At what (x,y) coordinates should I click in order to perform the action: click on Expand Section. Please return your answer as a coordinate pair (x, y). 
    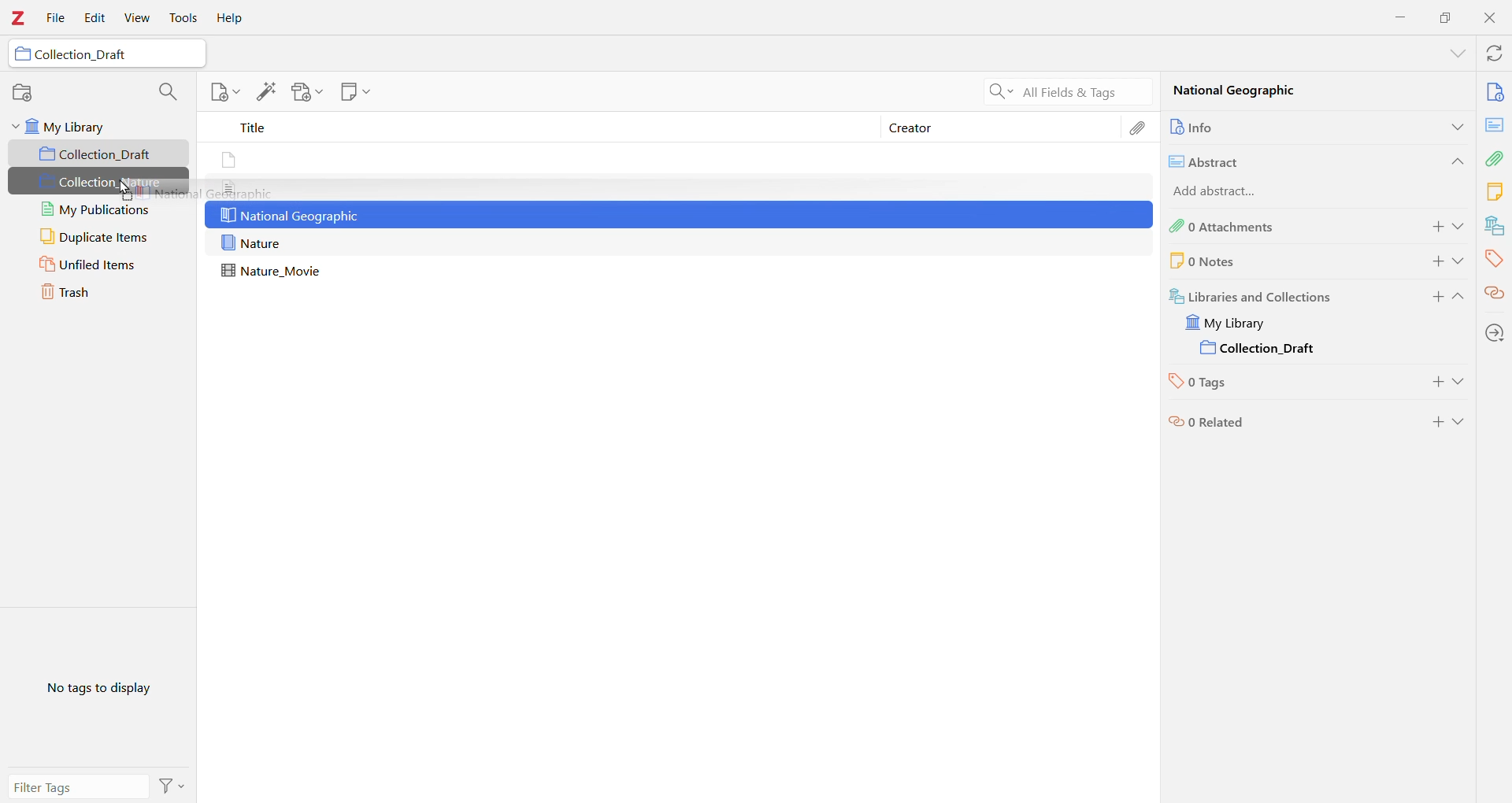
    Looking at the image, I should click on (1455, 126).